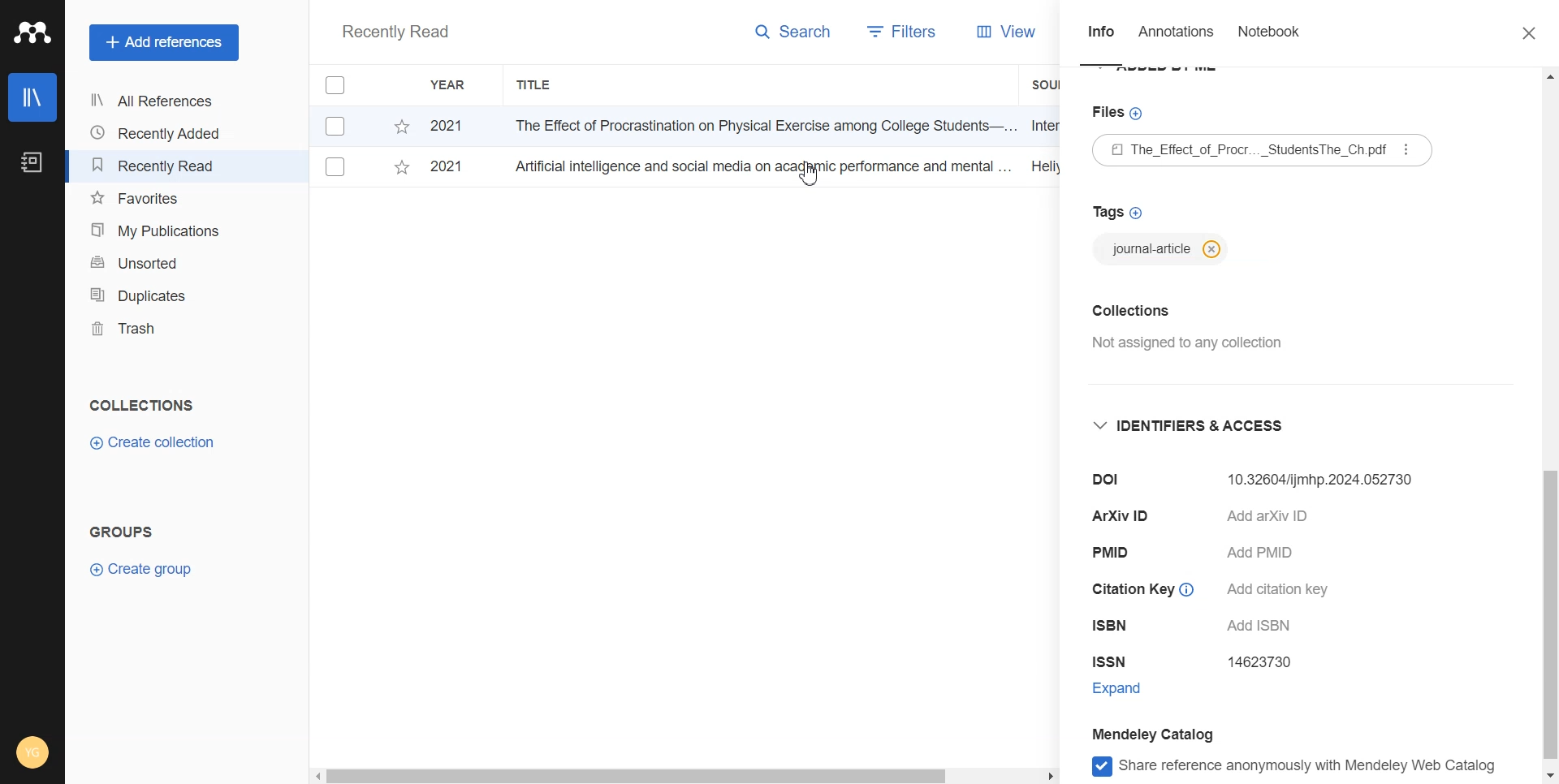 The height and width of the screenshot is (784, 1559). I want to click on ArXiv ID Add arXiv ID, so click(1224, 519).